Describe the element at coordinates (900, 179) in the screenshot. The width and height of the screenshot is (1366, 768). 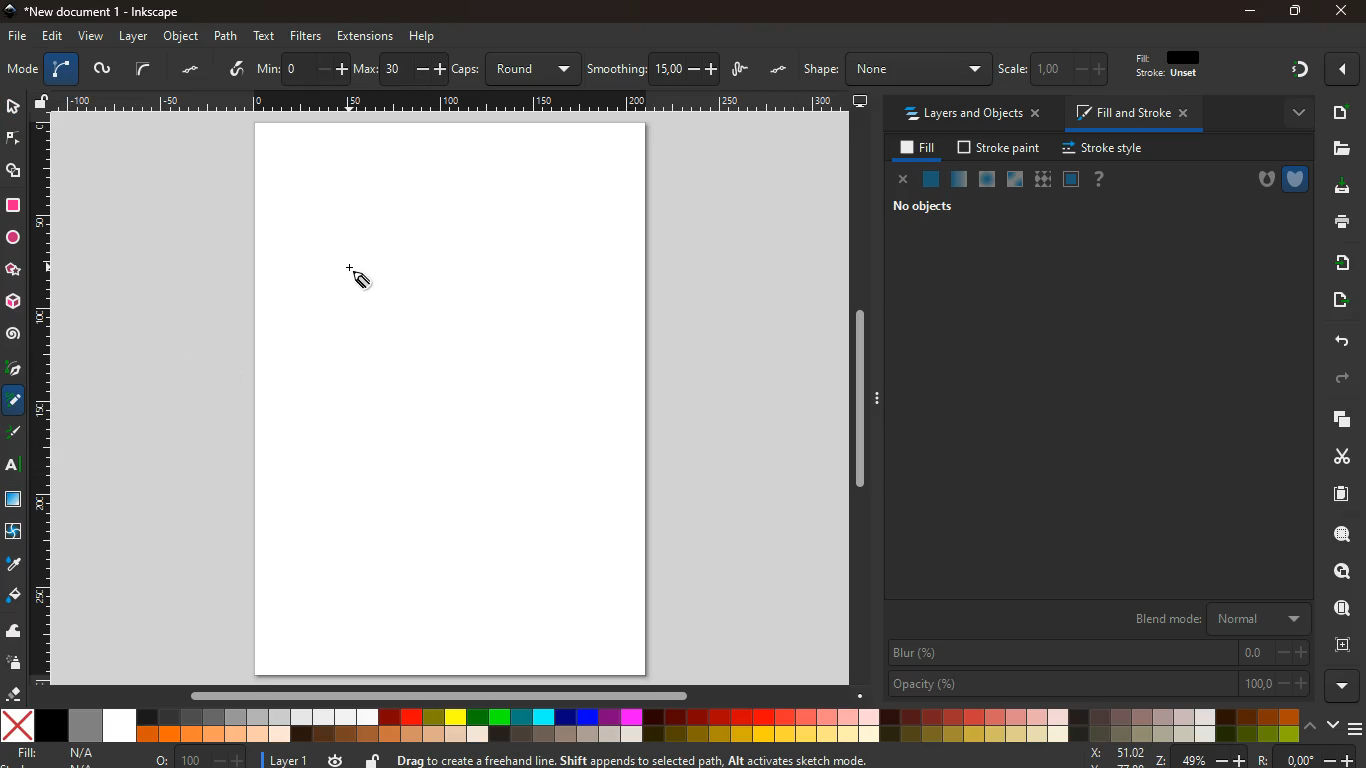
I see `close` at that location.